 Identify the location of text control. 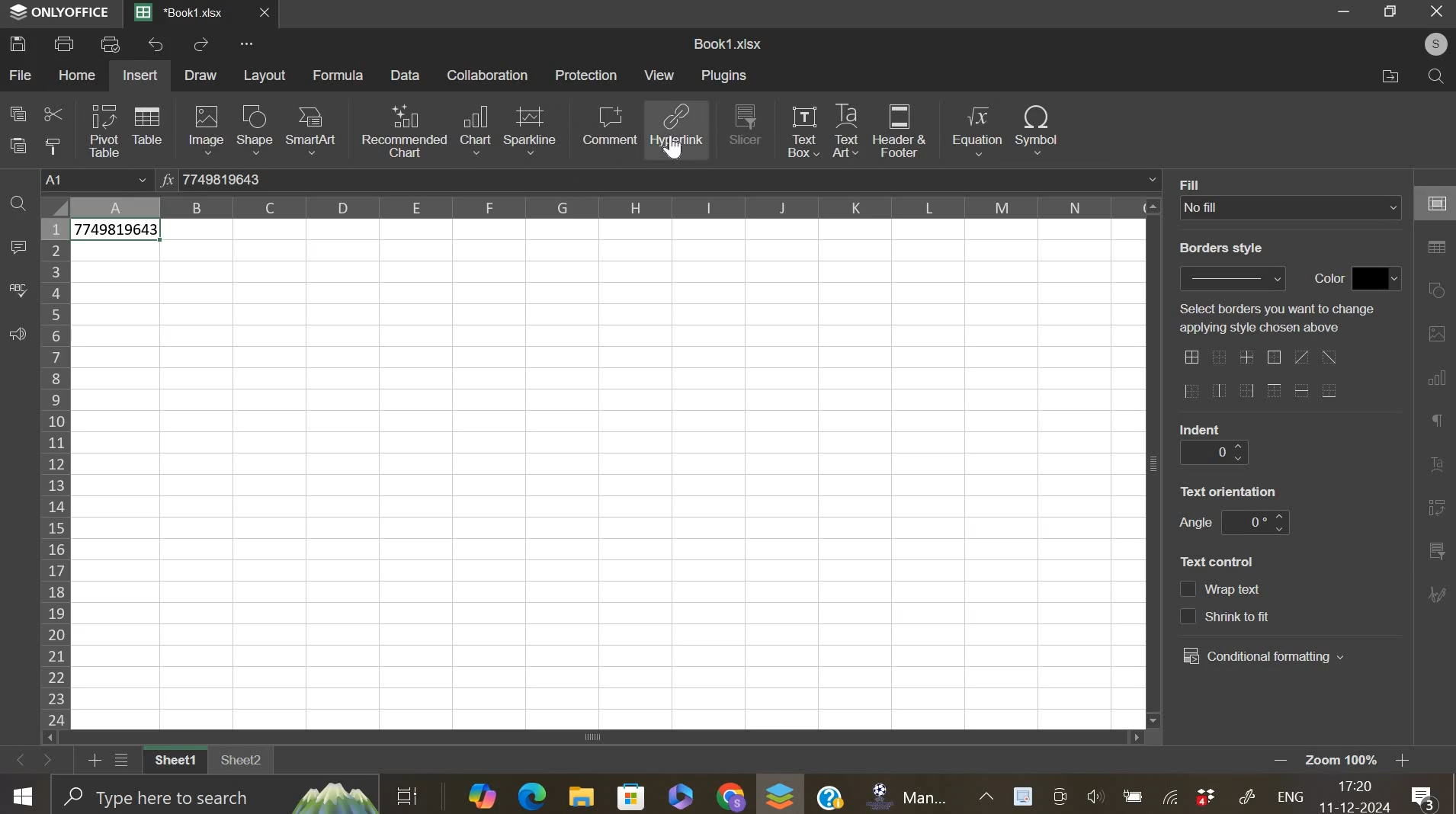
(1226, 603).